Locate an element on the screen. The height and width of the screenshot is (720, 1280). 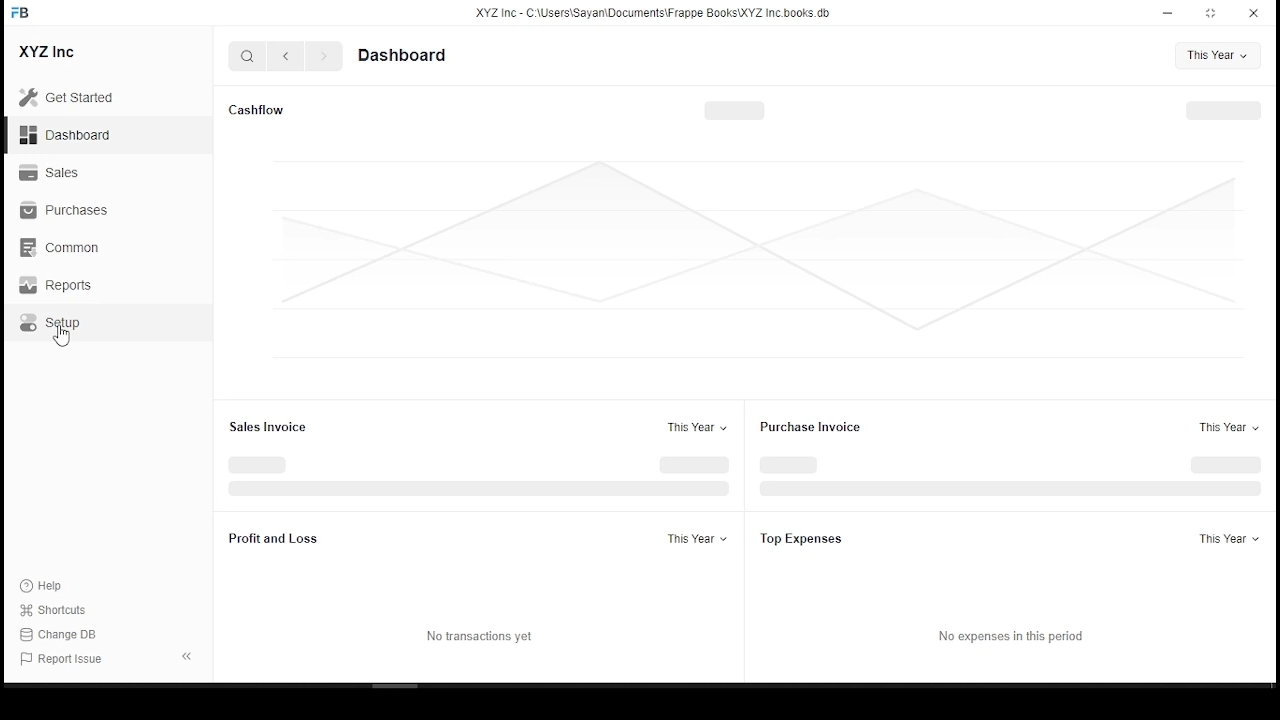
search is located at coordinates (247, 55).